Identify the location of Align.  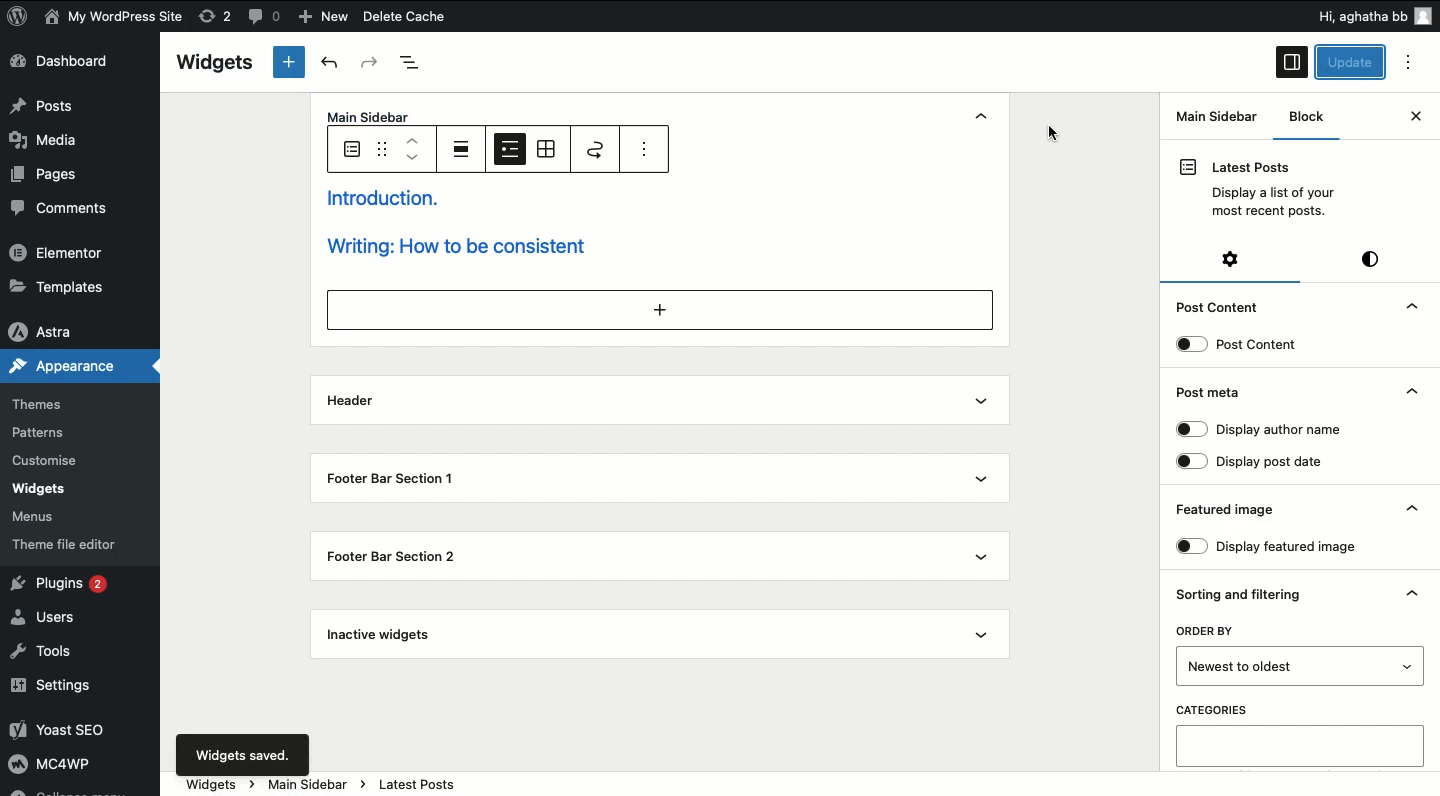
(463, 142).